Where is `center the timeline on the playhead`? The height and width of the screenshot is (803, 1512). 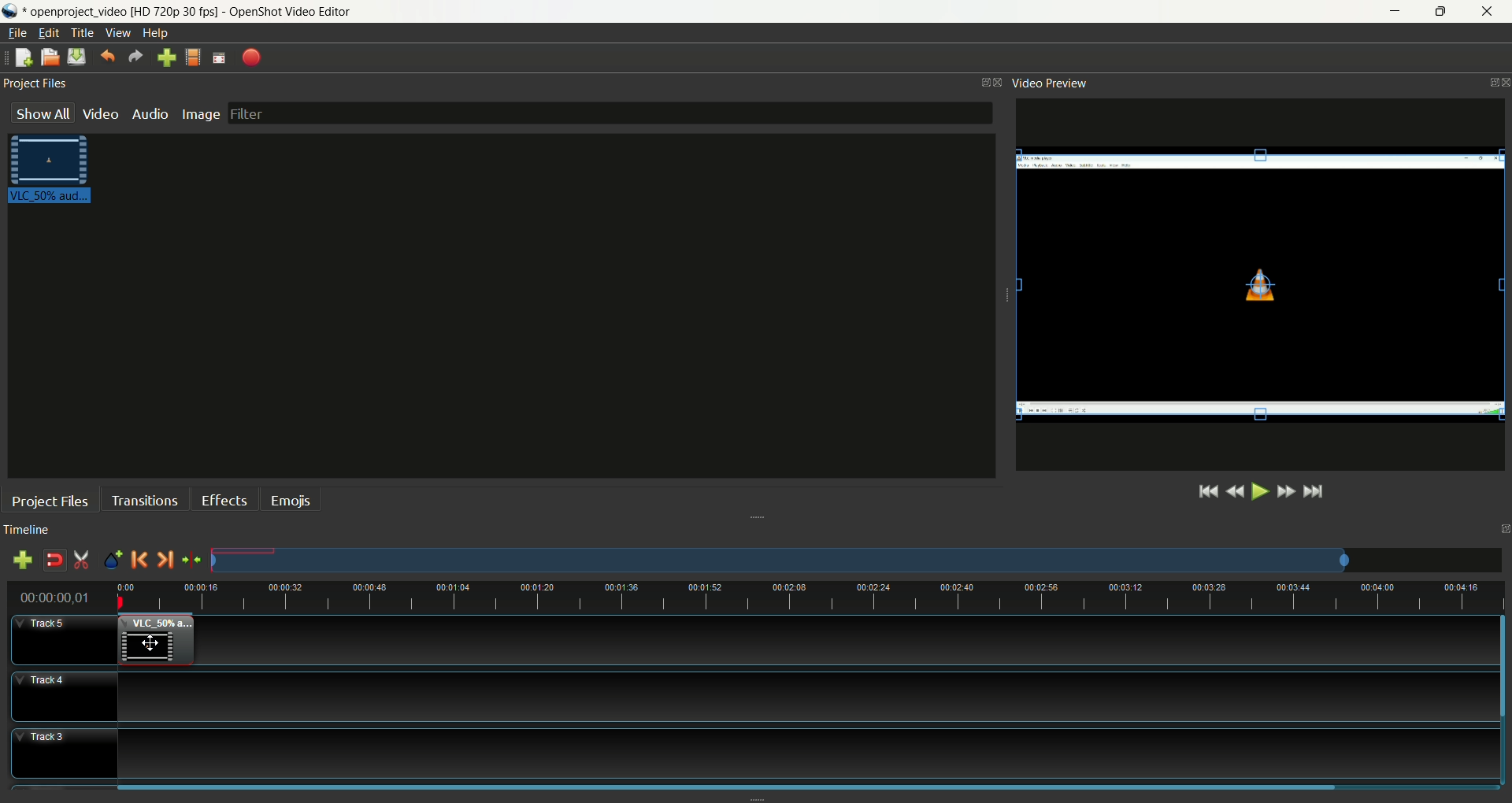
center the timeline on the playhead is located at coordinates (191, 561).